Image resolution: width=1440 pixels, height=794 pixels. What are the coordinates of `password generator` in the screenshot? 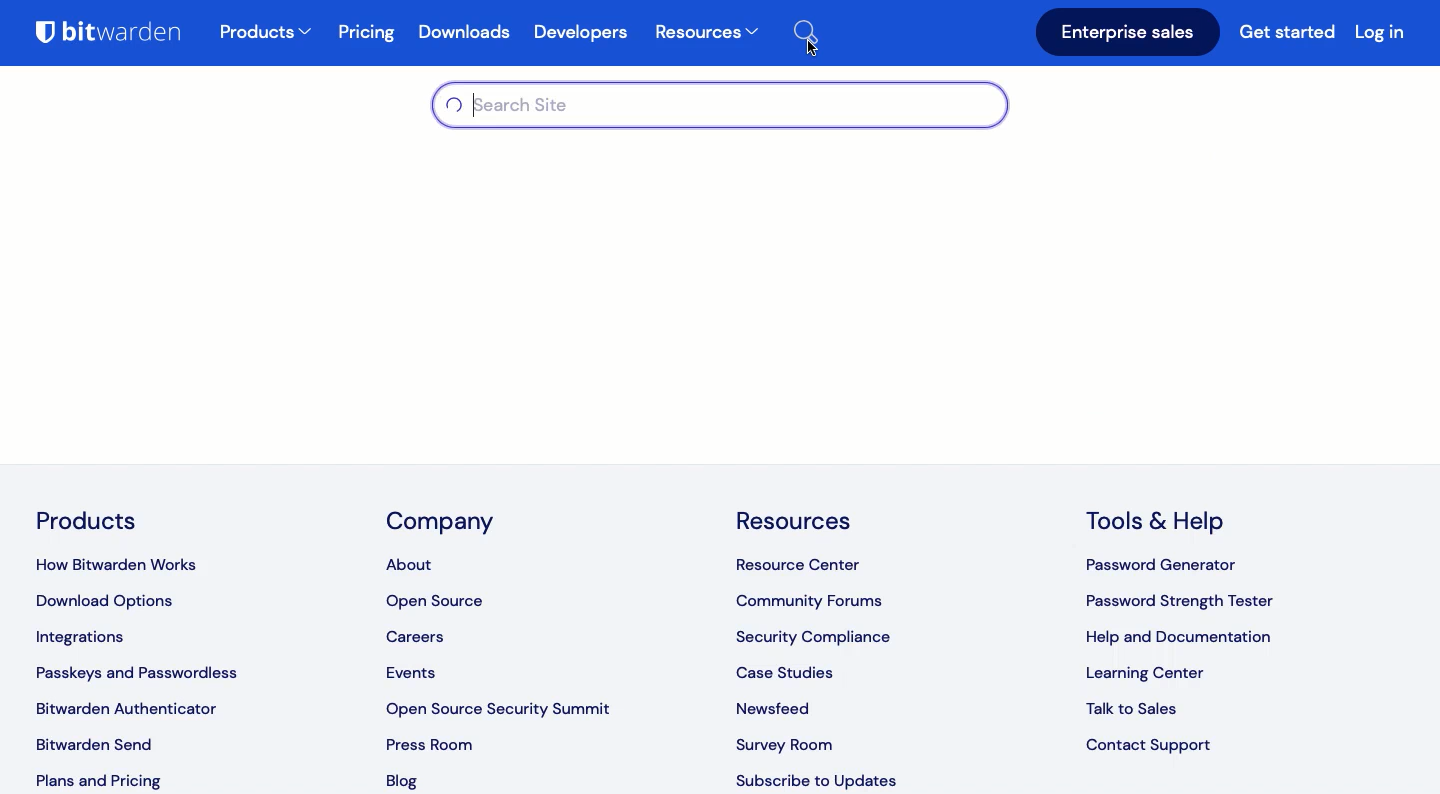 It's located at (1165, 567).